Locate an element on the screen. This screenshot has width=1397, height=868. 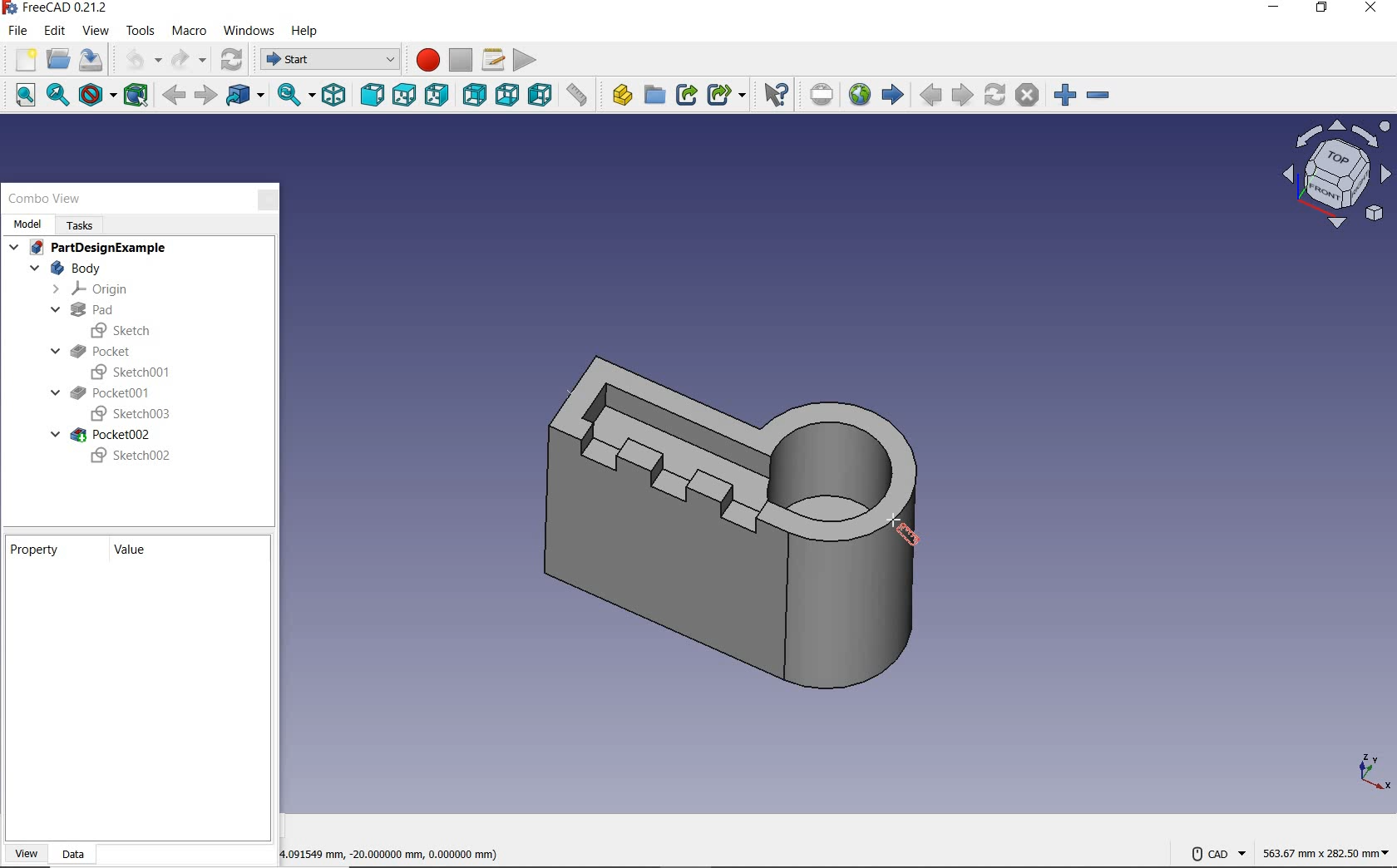
minimize is located at coordinates (1272, 9).